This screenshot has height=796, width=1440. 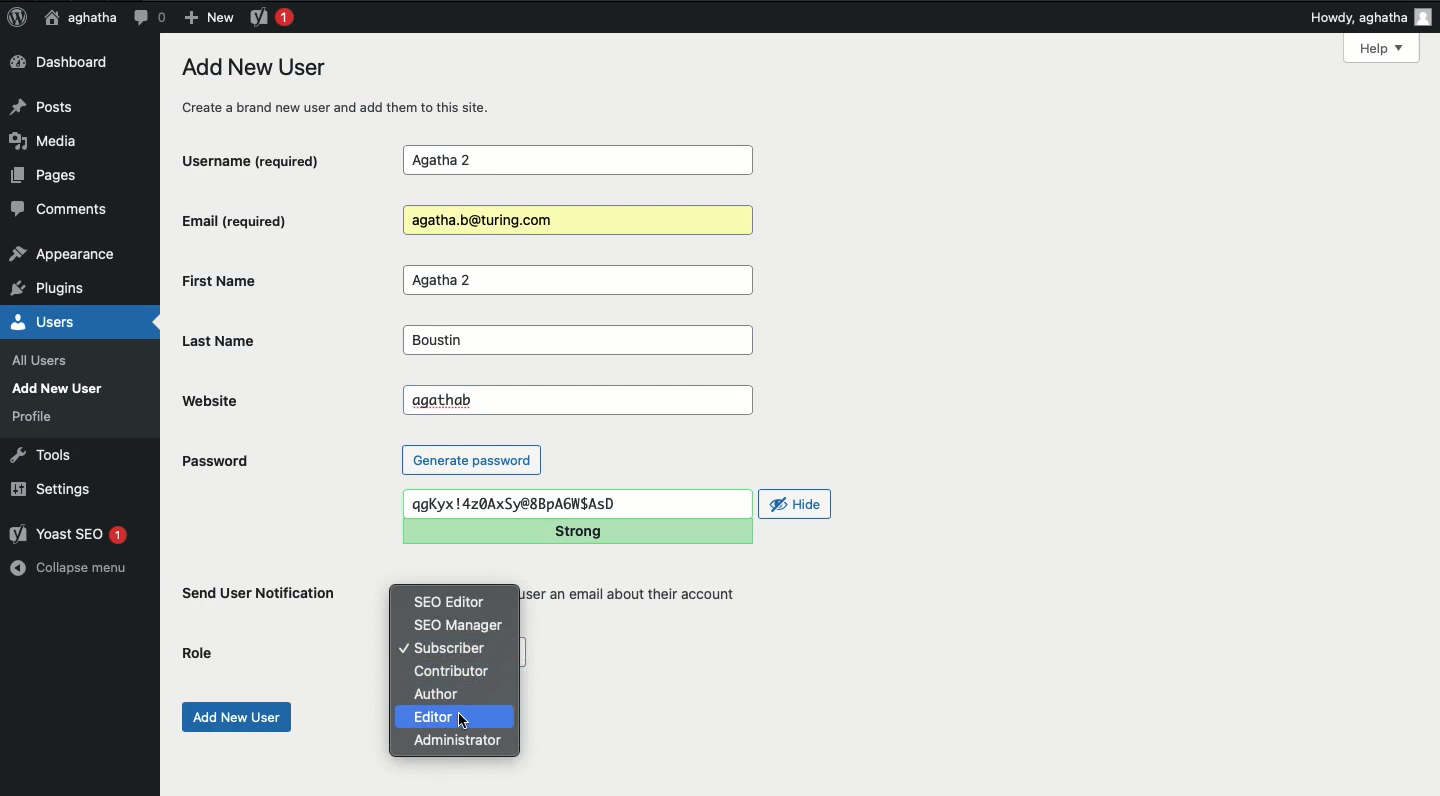 What do you see at coordinates (61, 212) in the screenshot?
I see `Comments` at bounding box center [61, 212].